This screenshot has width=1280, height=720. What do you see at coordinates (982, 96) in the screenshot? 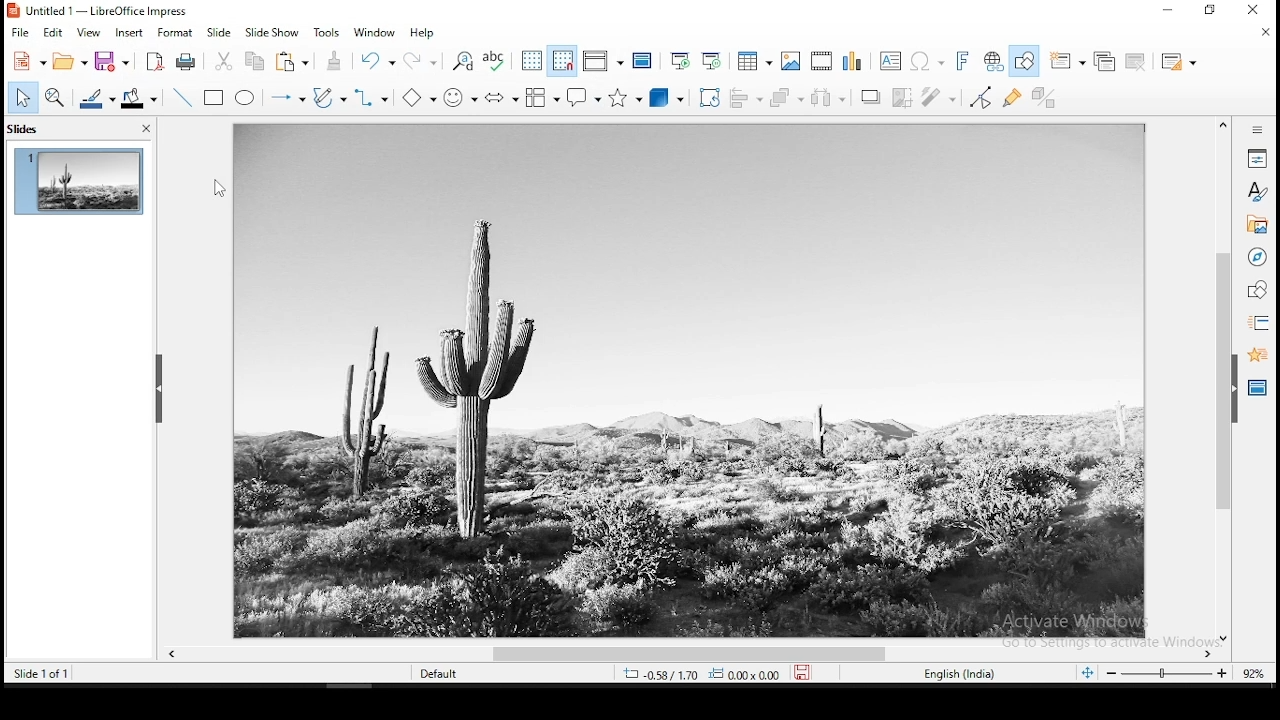
I see `toggle point edit mode` at bounding box center [982, 96].